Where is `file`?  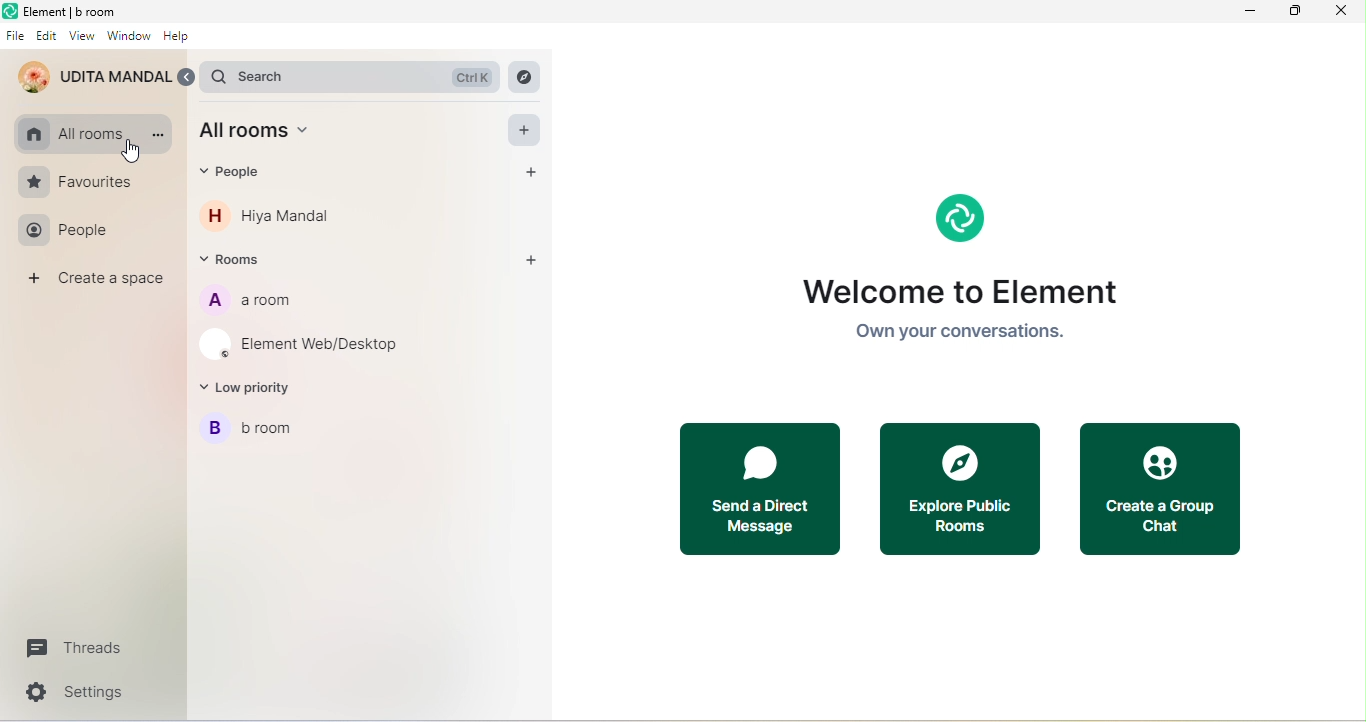 file is located at coordinates (15, 37).